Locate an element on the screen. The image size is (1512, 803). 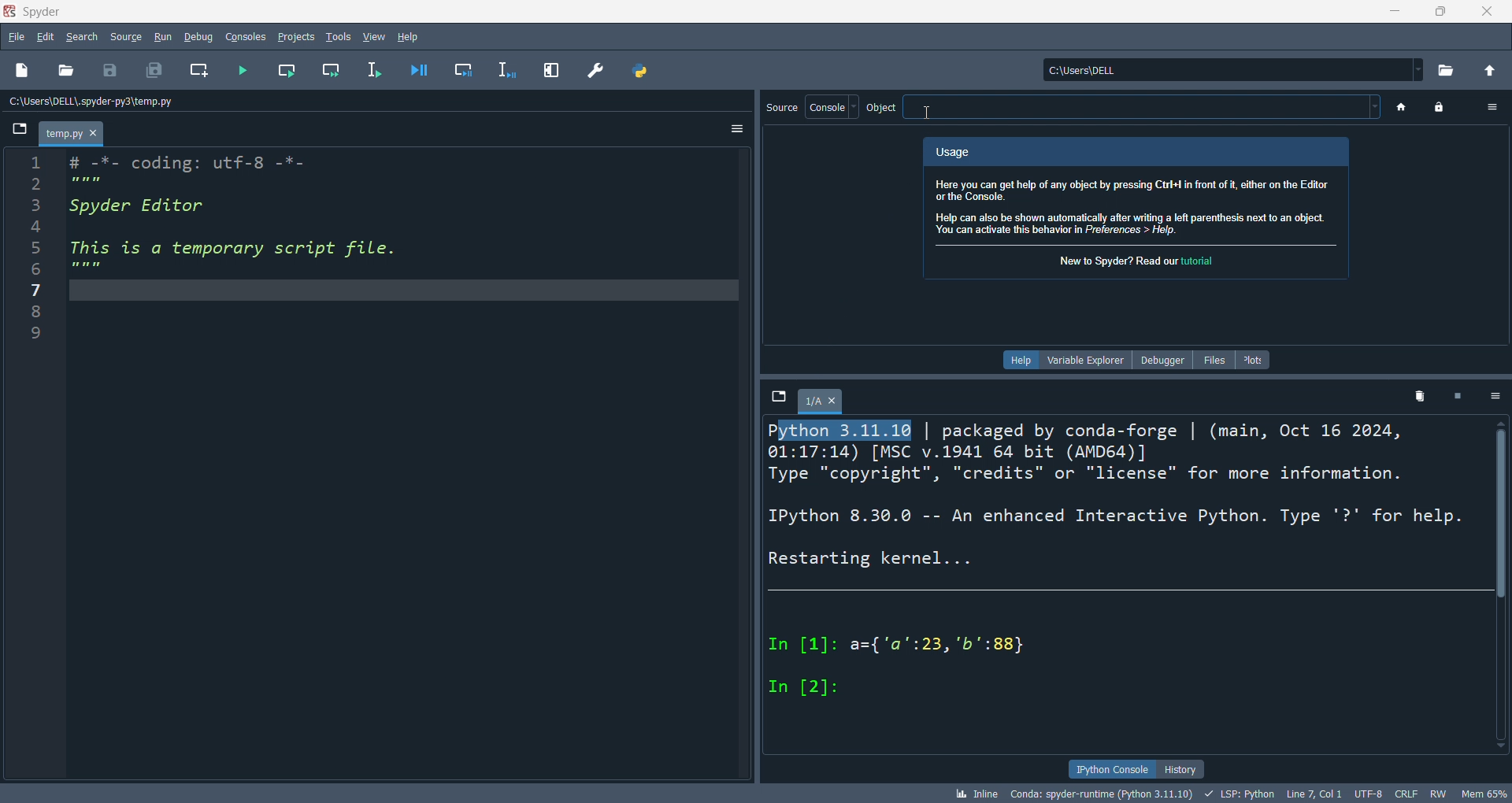
consoles is located at coordinates (245, 36).